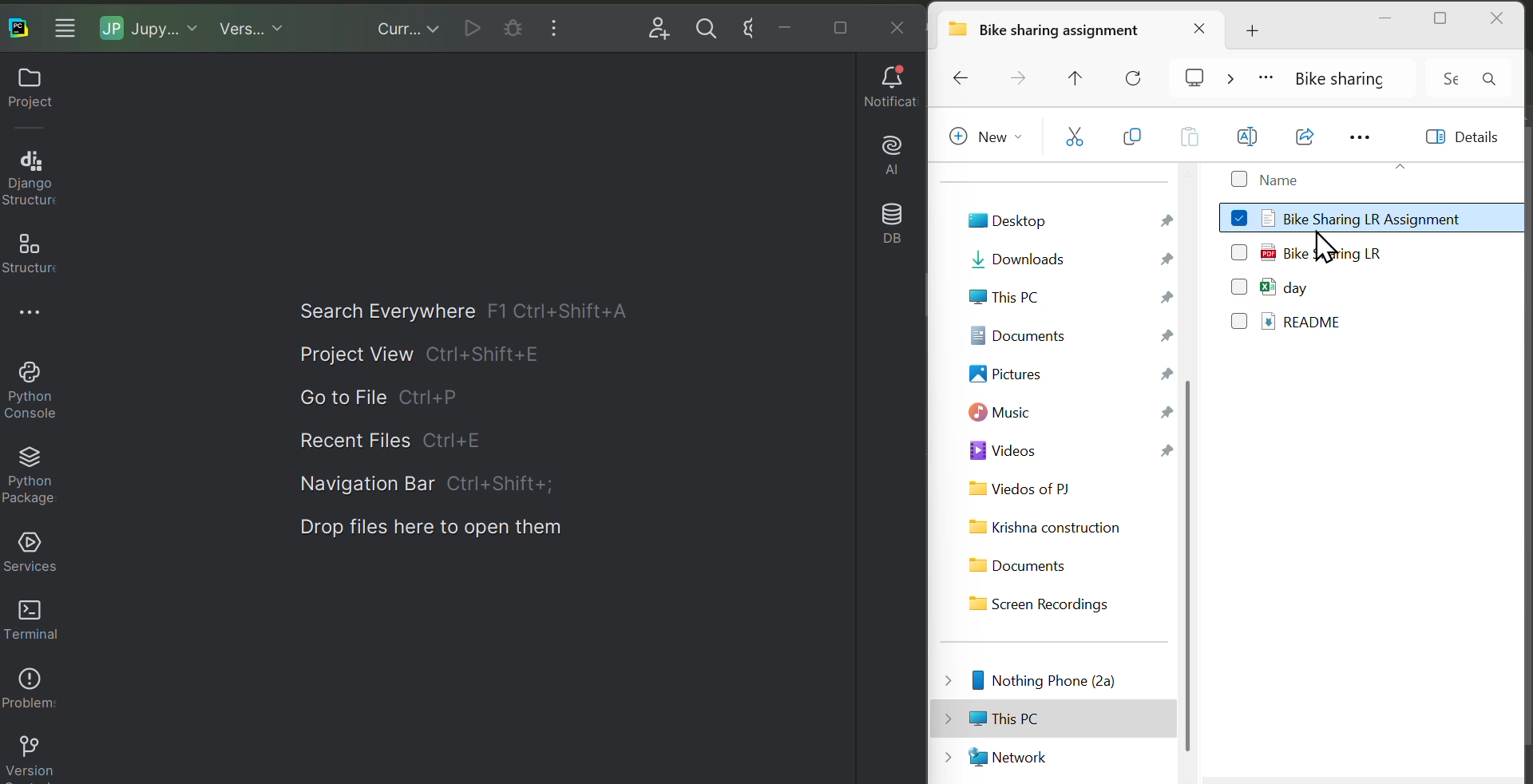 This screenshot has height=784, width=1533. I want to click on Videos of PJ, so click(1071, 487).